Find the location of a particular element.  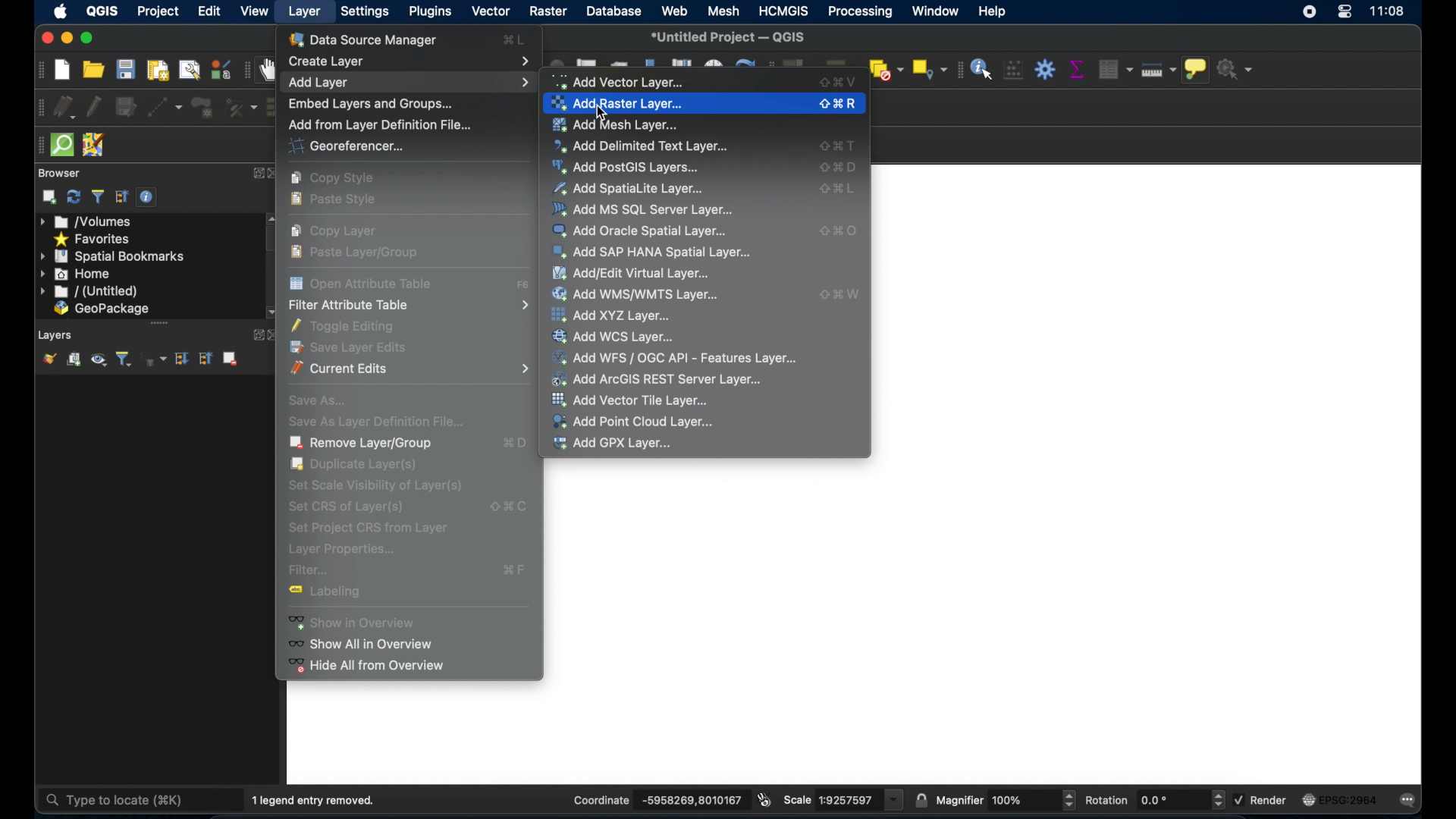

edit is located at coordinates (211, 12).